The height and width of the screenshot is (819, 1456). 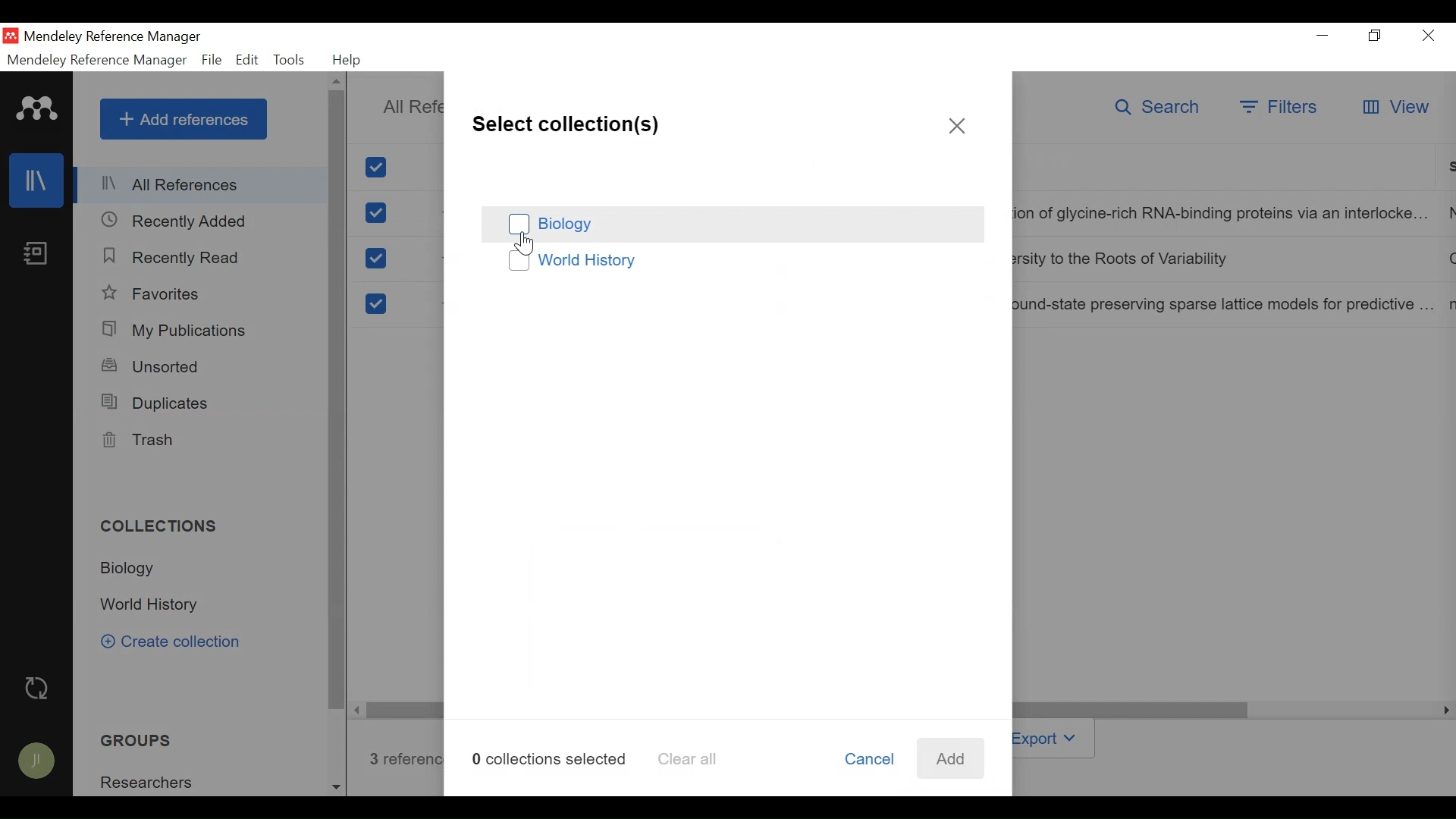 What do you see at coordinates (165, 528) in the screenshot?
I see `Collection` at bounding box center [165, 528].